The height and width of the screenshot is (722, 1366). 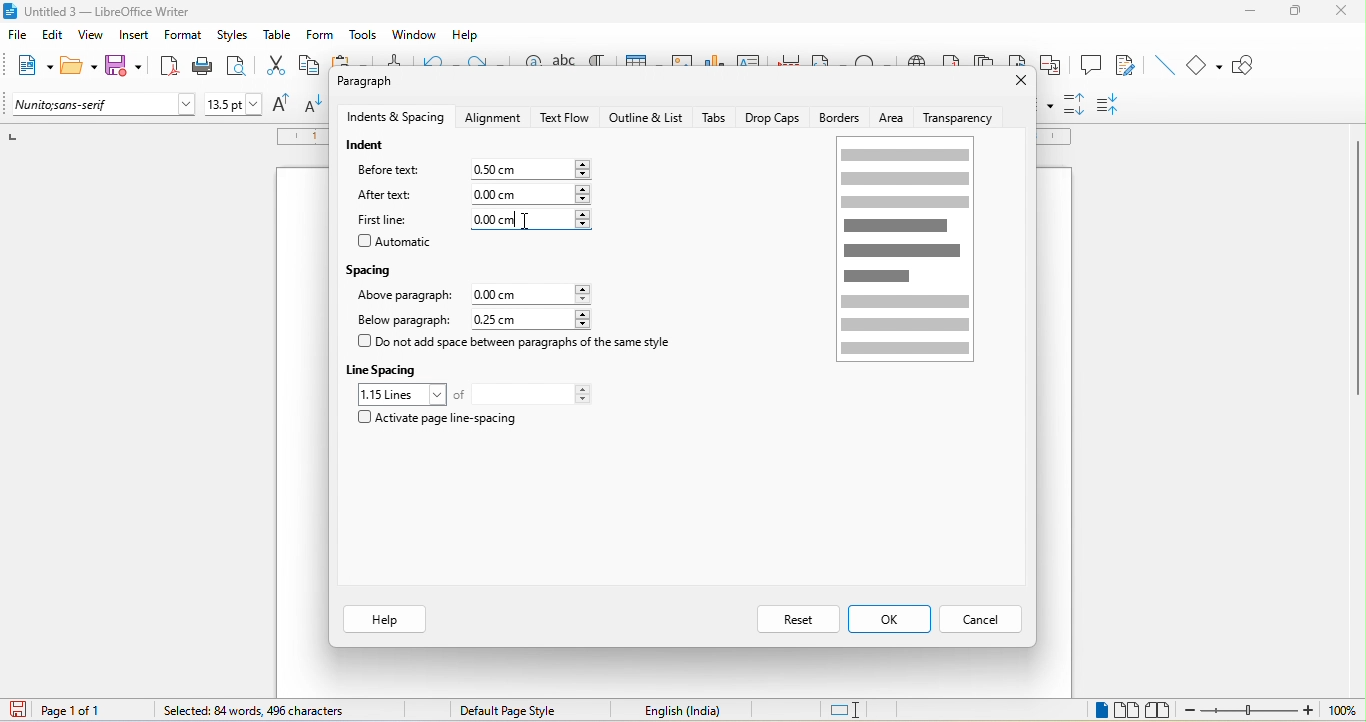 I want to click on spacing, so click(x=377, y=273).